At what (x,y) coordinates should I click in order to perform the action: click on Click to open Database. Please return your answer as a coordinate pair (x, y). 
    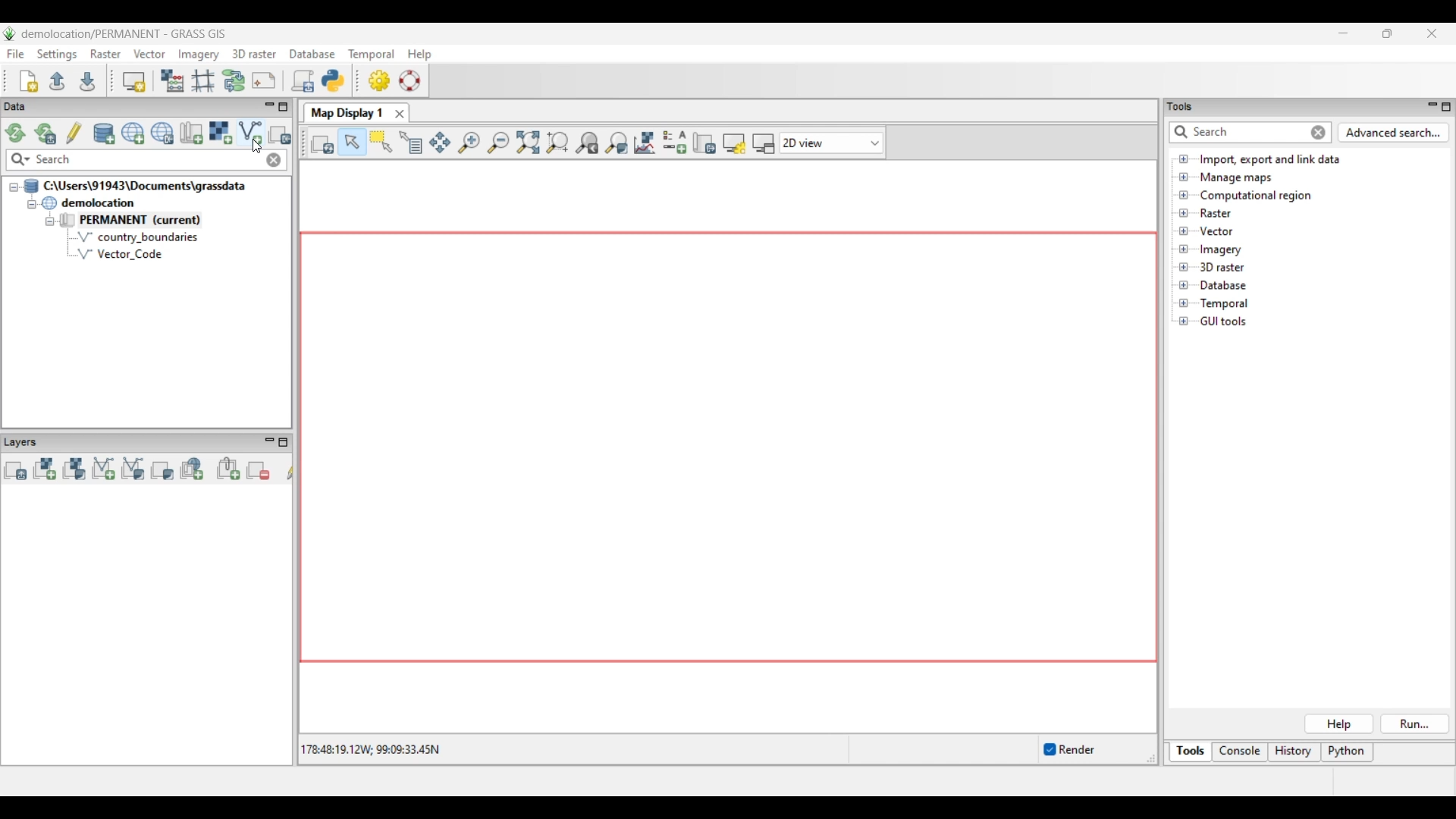
    Looking at the image, I should click on (1184, 285).